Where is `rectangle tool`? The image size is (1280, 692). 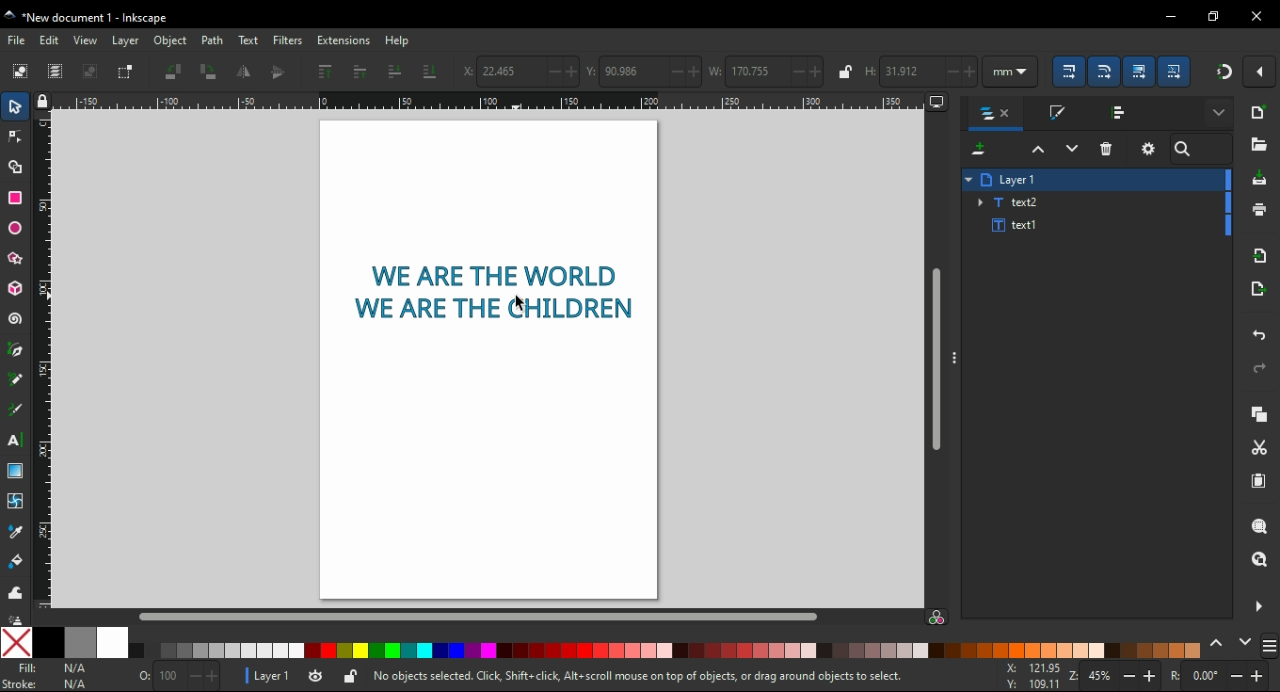 rectangle tool is located at coordinates (15, 198).